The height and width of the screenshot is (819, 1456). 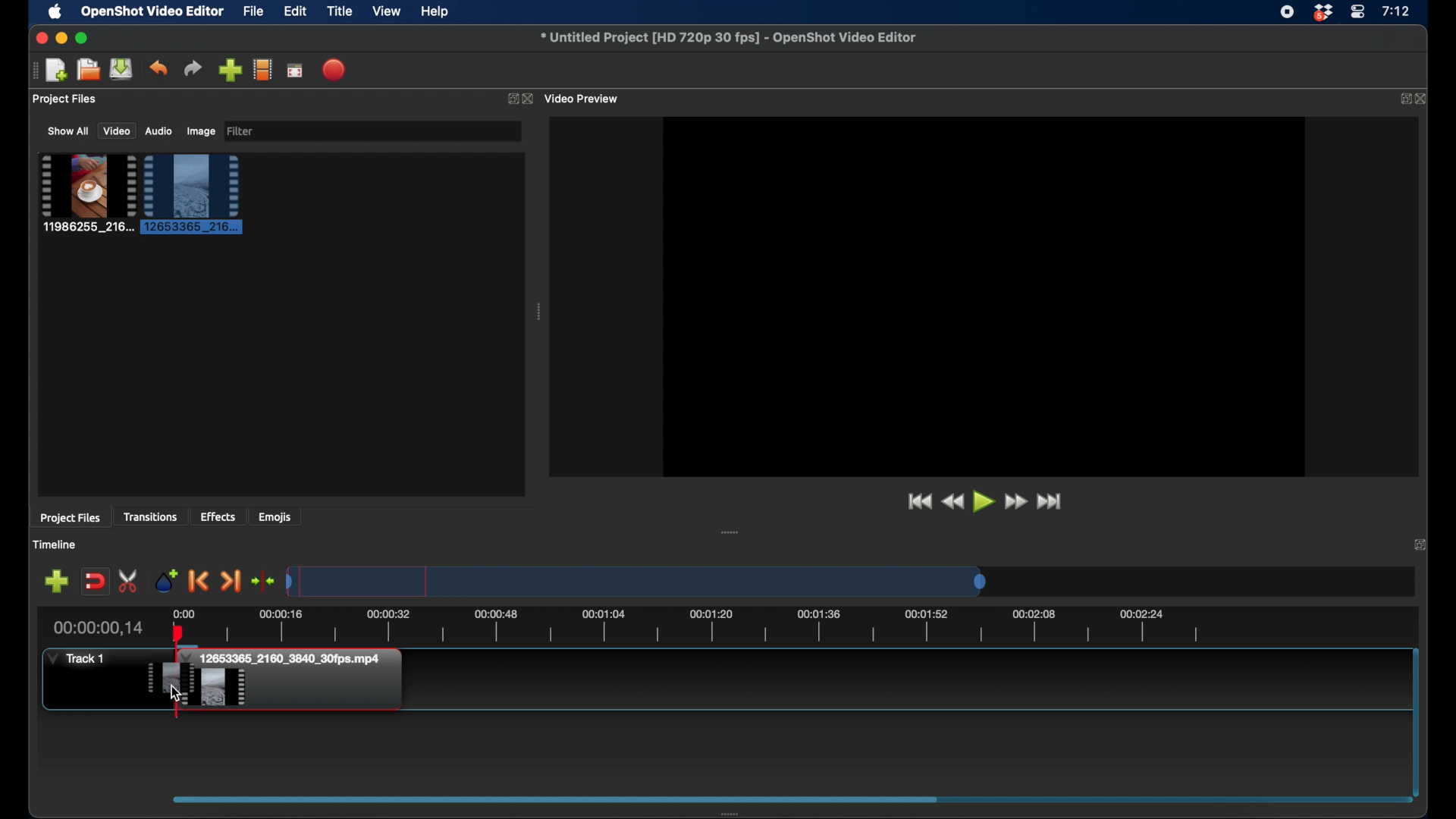 What do you see at coordinates (276, 516) in the screenshot?
I see `emojis` at bounding box center [276, 516].